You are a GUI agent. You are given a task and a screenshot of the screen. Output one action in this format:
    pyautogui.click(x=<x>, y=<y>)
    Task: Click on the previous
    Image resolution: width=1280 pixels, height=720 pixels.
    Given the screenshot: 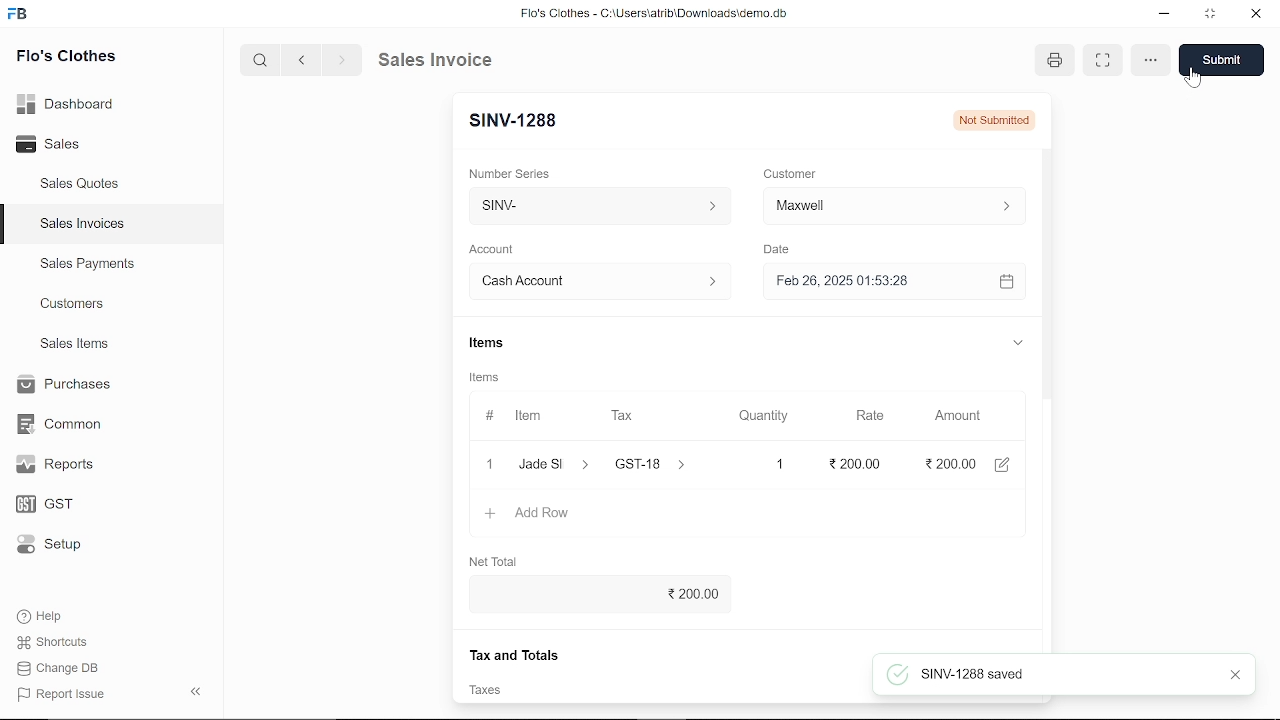 What is the action you would take?
    pyautogui.click(x=302, y=59)
    